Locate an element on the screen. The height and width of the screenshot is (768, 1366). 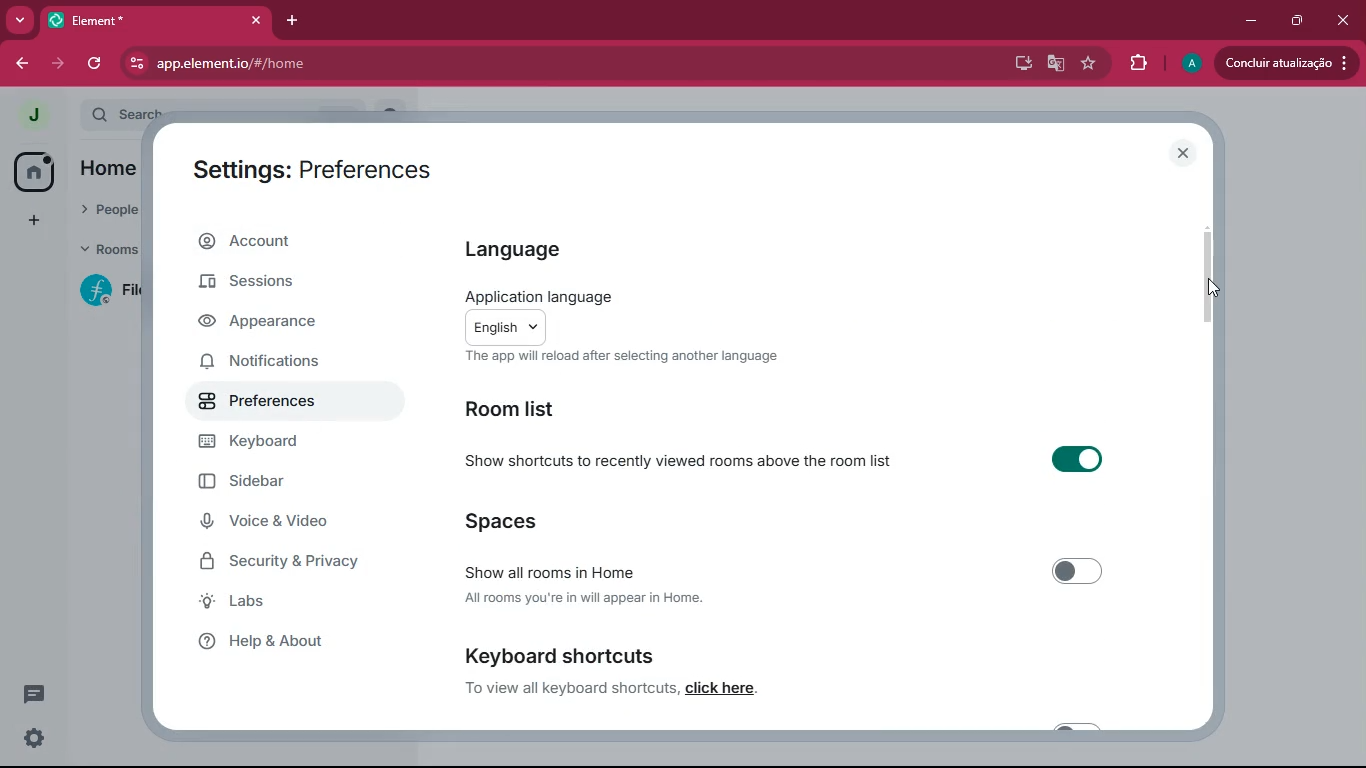
Toggle off is located at coordinates (1079, 573).